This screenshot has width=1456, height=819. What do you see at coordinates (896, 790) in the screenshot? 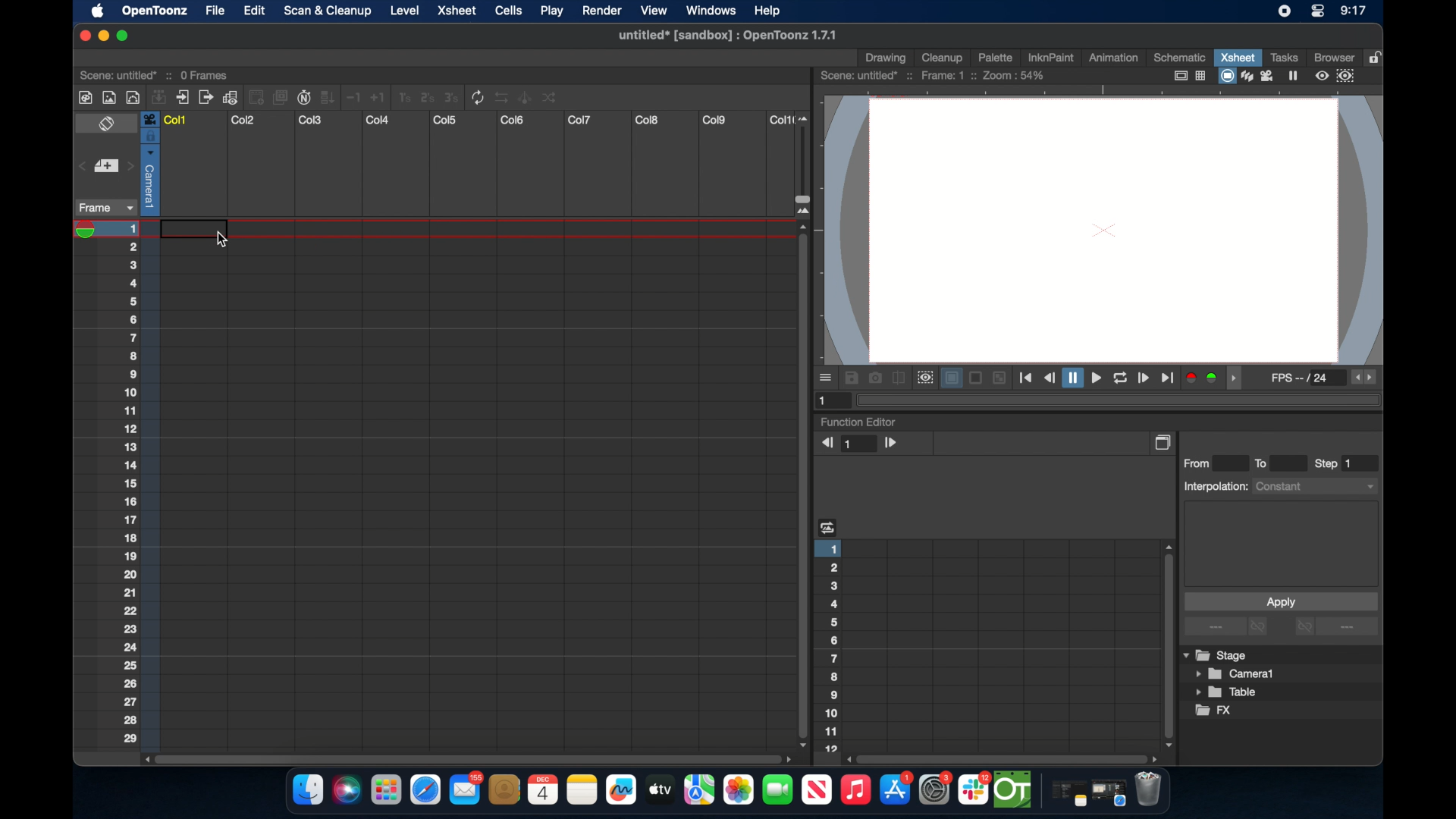
I see `appstore` at bounding box center [896, 790].